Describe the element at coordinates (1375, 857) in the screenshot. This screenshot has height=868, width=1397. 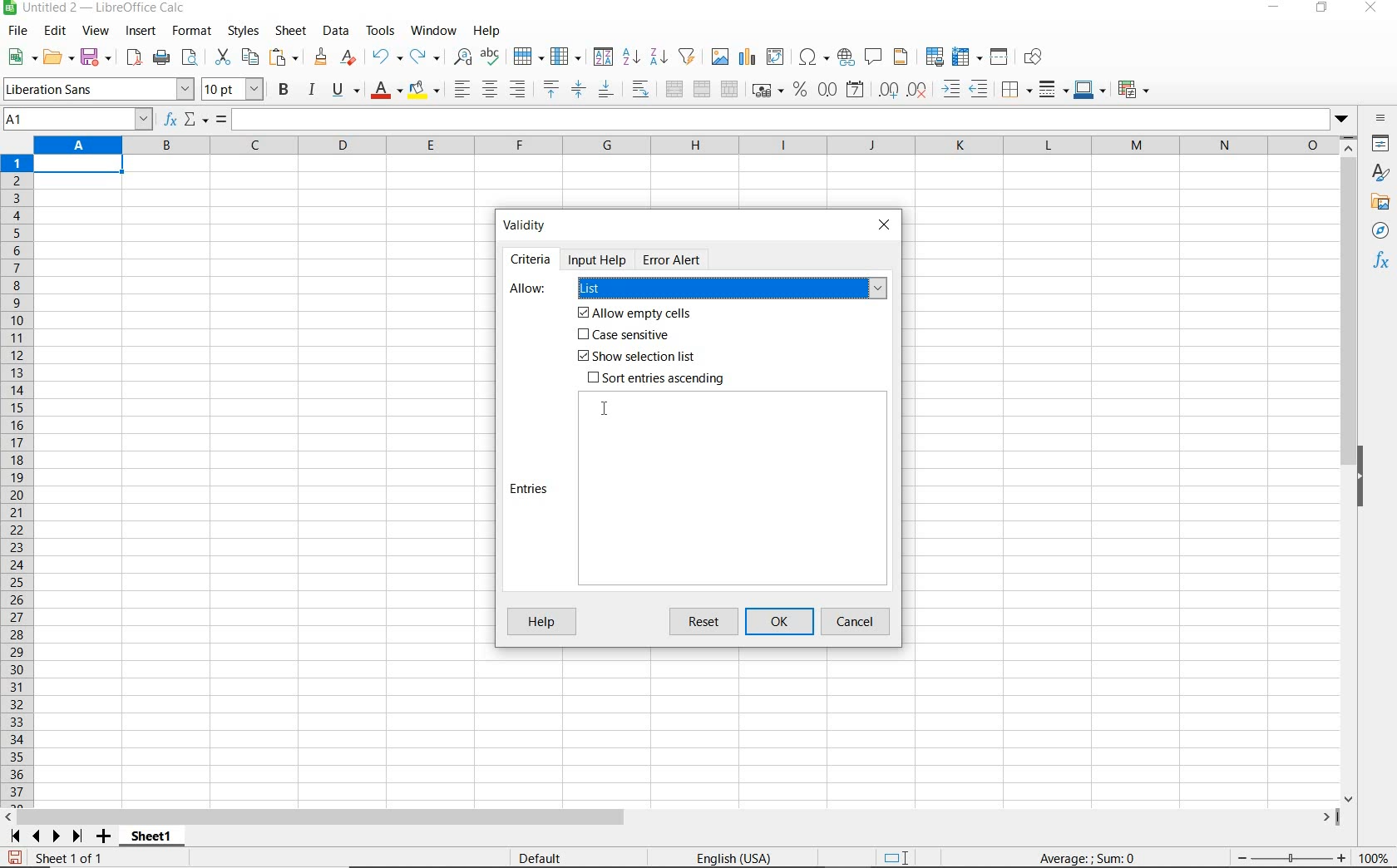
I see `zoom factor` at that location.